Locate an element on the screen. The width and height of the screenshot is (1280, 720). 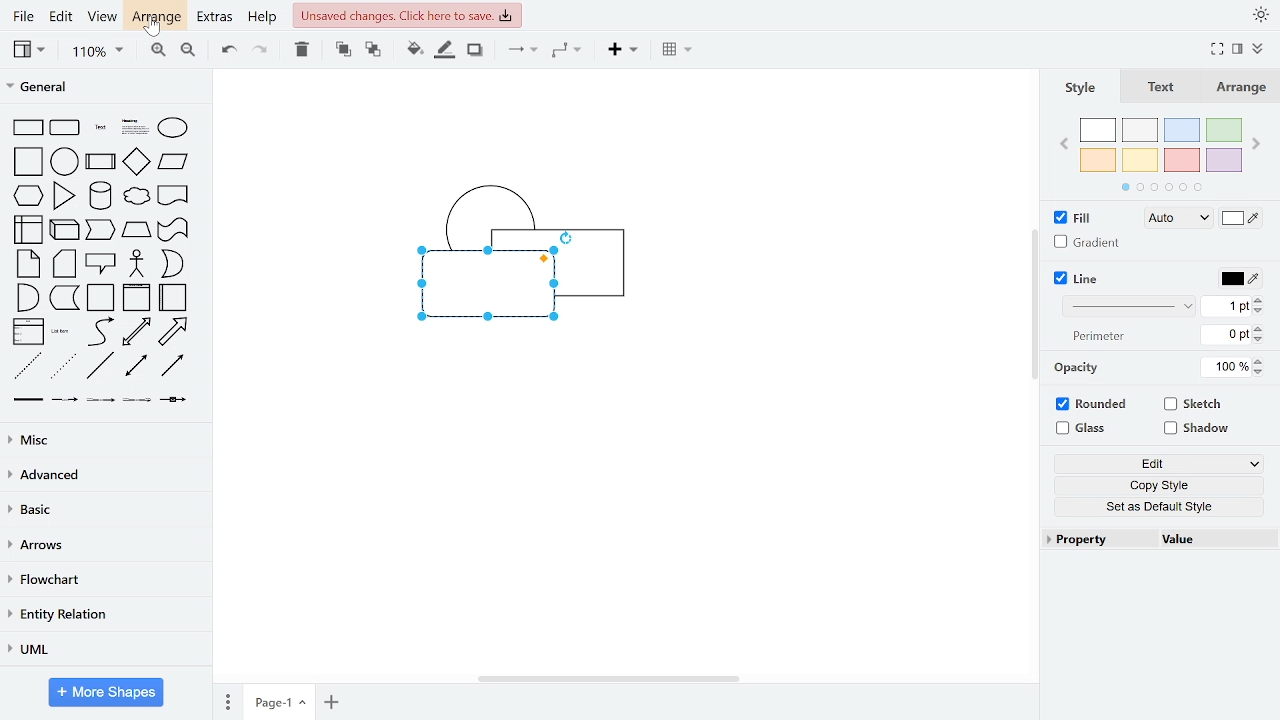
callout is located at coordinates (101, 262).